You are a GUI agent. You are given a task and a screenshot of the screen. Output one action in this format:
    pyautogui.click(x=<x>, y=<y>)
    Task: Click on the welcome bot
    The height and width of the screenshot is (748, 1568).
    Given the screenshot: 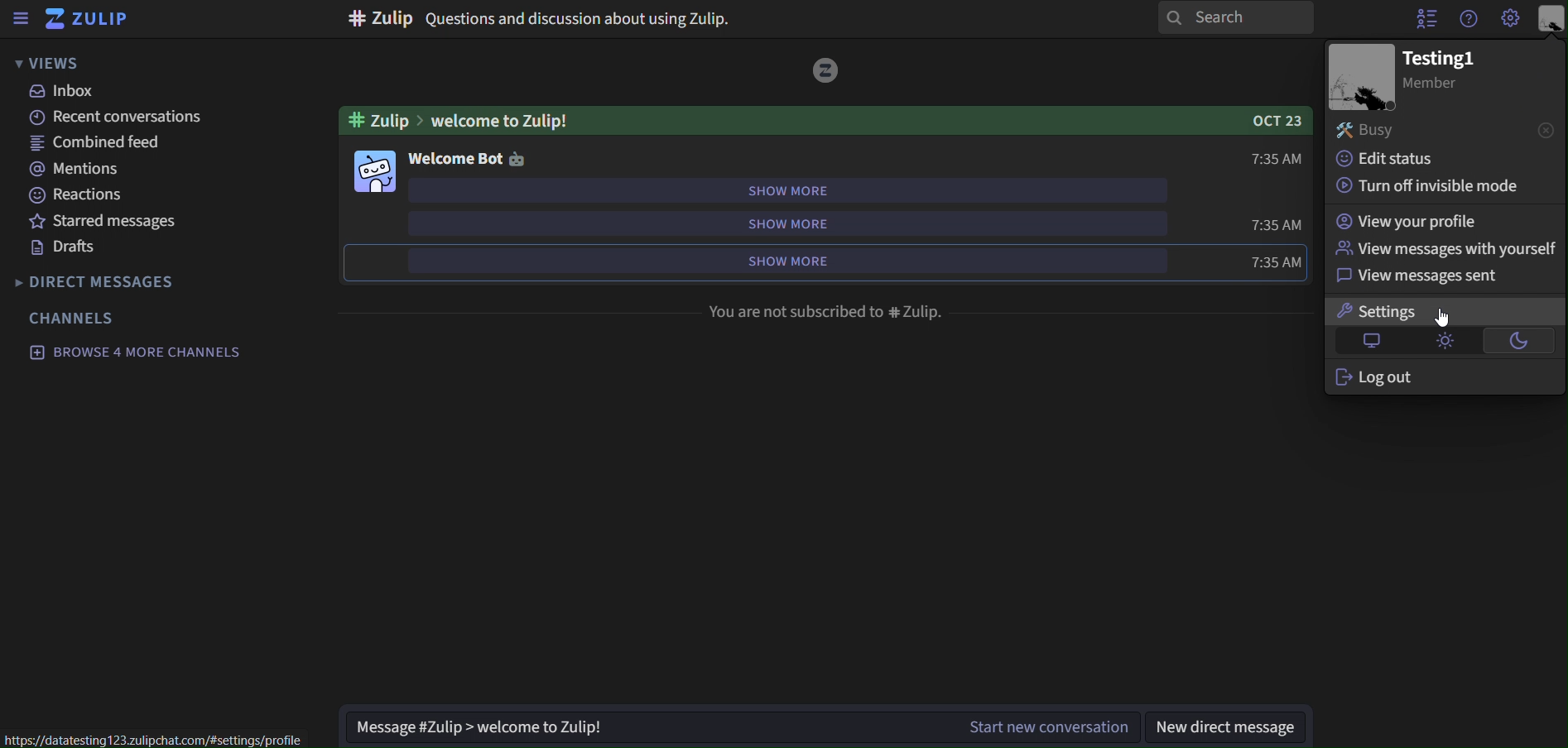 What is the action you would take?
    pyautogui.click(x=468, y=158)
    